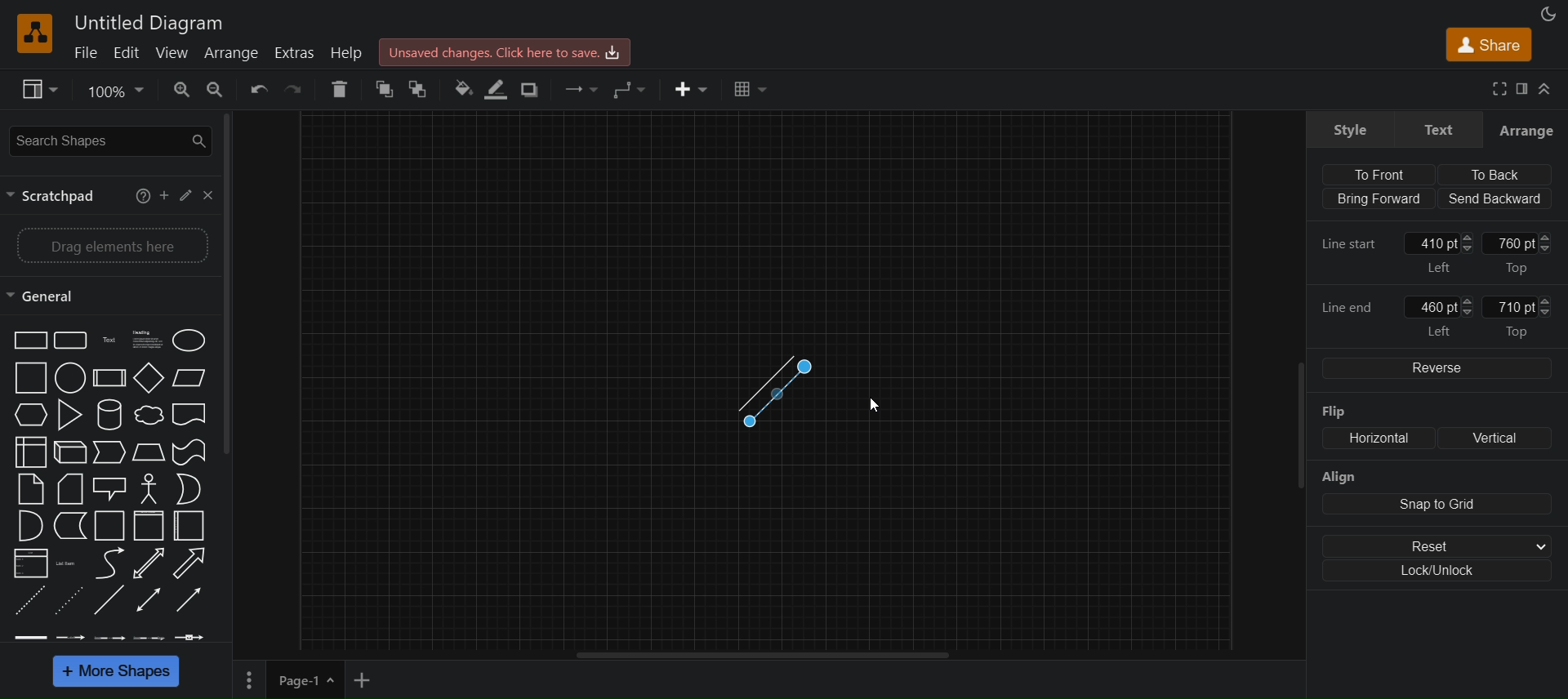 The image size is (1568, 699). What do you see at coordinates (149, 488) in the screenshot?
I see `Actor` at bounding box center [149, 488].